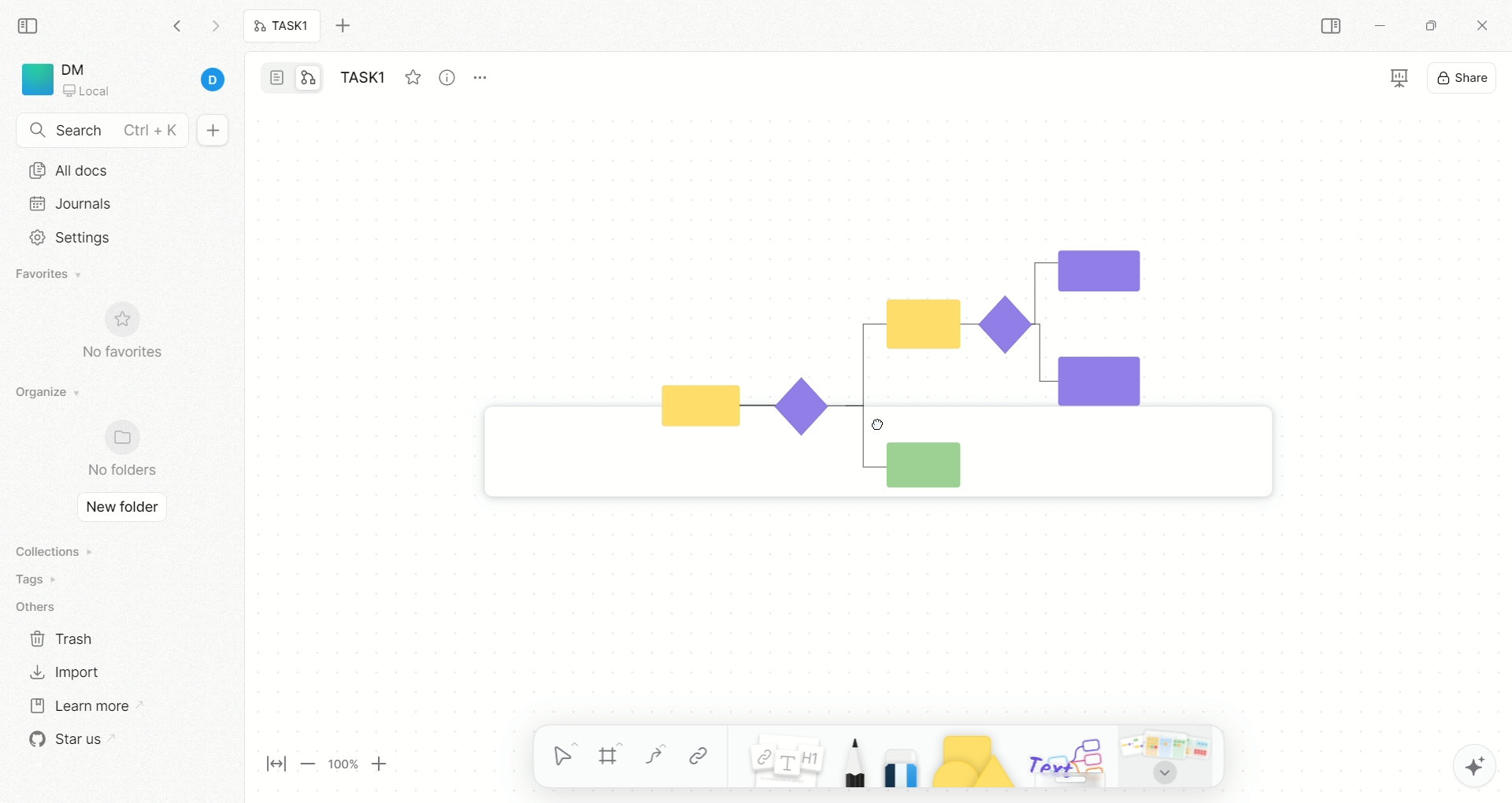 The width and height of the screenshot is (1512, 803). I want to click on go backward, so click(177, 25).